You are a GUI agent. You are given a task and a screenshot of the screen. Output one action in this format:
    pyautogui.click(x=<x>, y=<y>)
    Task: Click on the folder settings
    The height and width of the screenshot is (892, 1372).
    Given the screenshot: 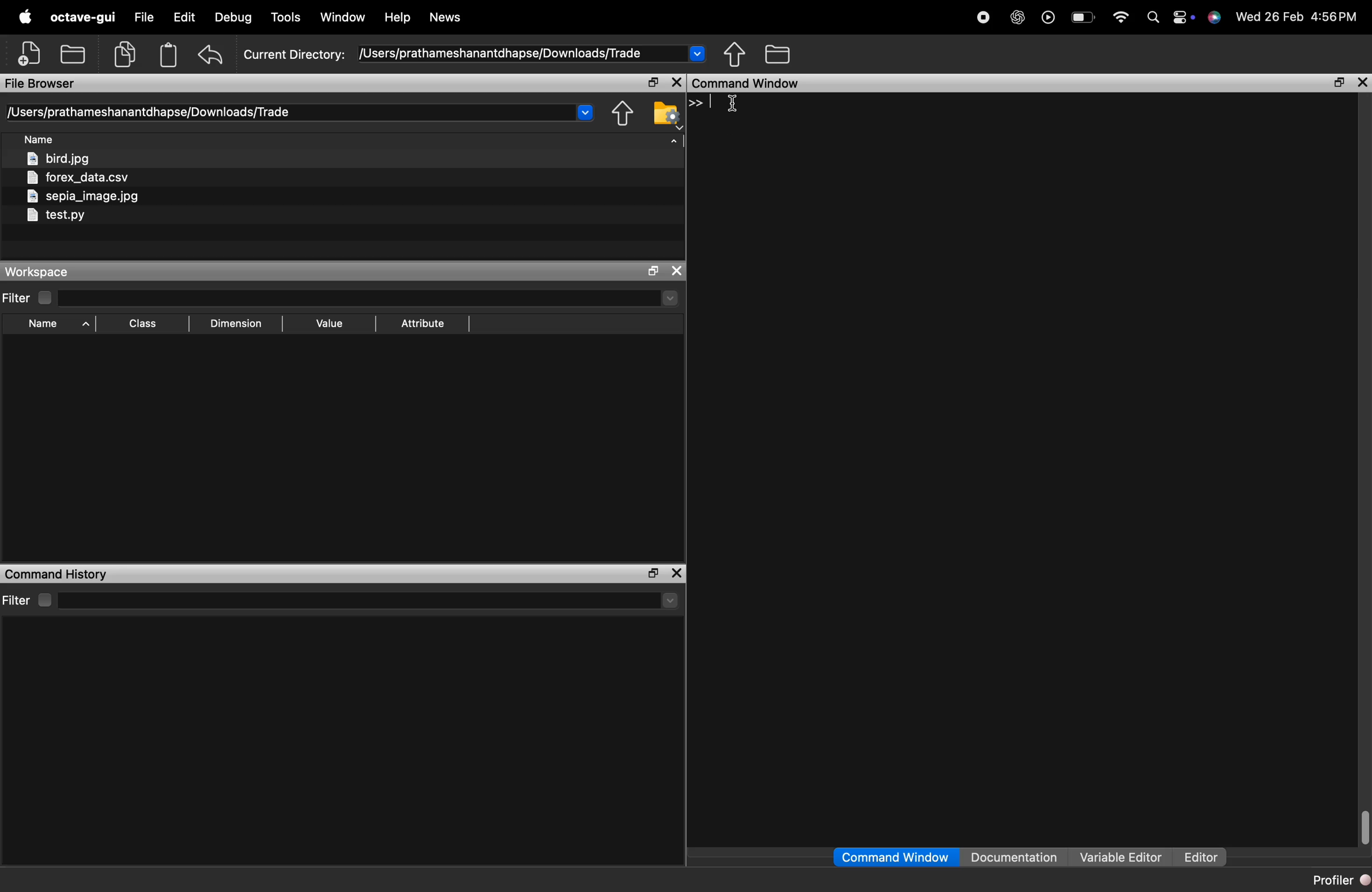 What is the action you would take?
    pyautogui.click(x=668, y=114)
    